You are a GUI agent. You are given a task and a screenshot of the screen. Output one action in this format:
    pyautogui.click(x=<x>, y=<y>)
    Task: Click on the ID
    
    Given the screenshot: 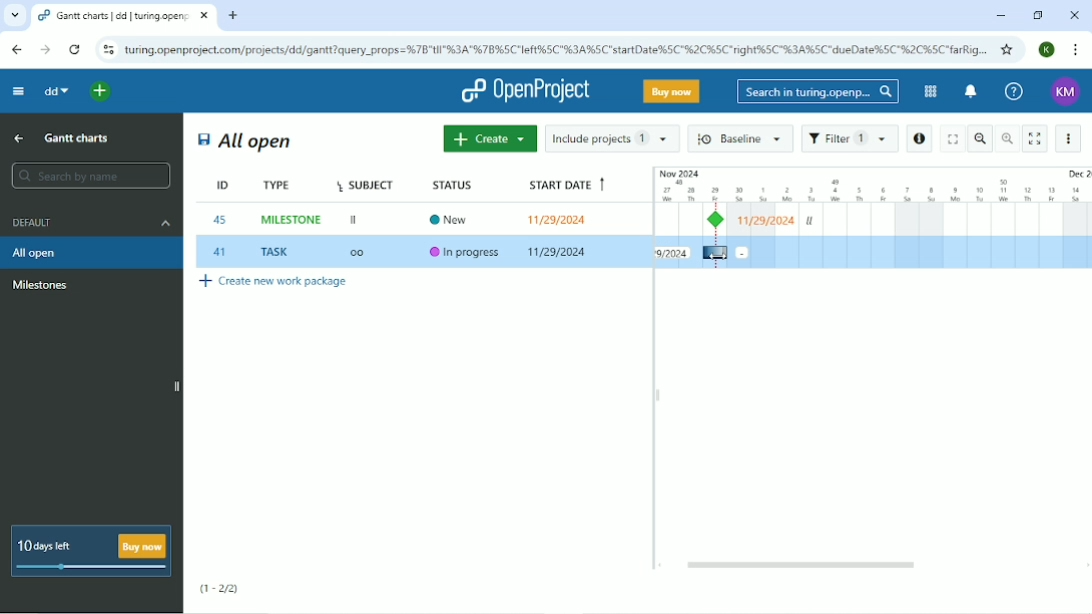 What is the action you would take?
    pyautogui.click(x=216, y=185)
    